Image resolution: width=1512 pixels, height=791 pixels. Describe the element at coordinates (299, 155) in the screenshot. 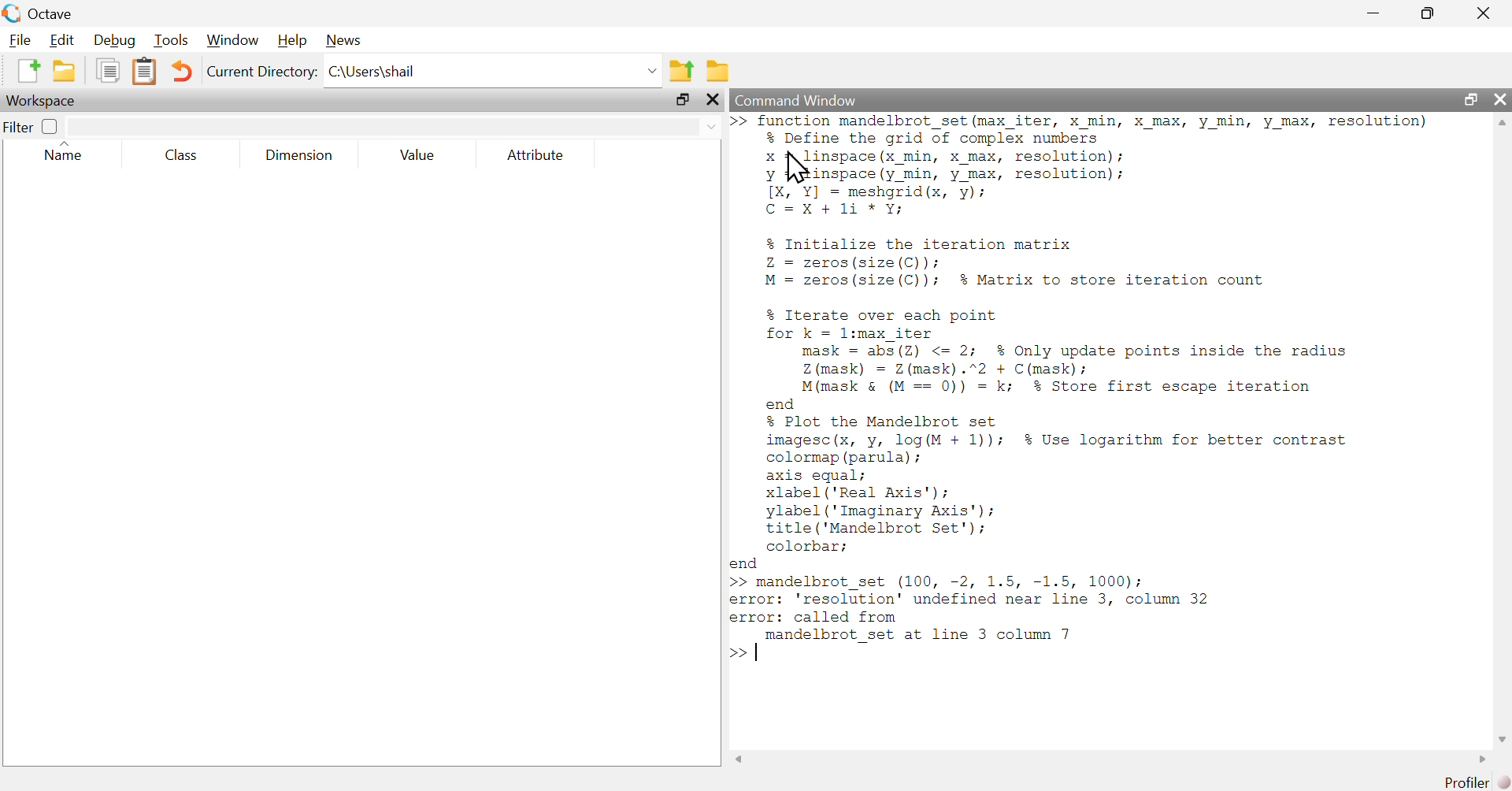

I see `Dimension` at that location.